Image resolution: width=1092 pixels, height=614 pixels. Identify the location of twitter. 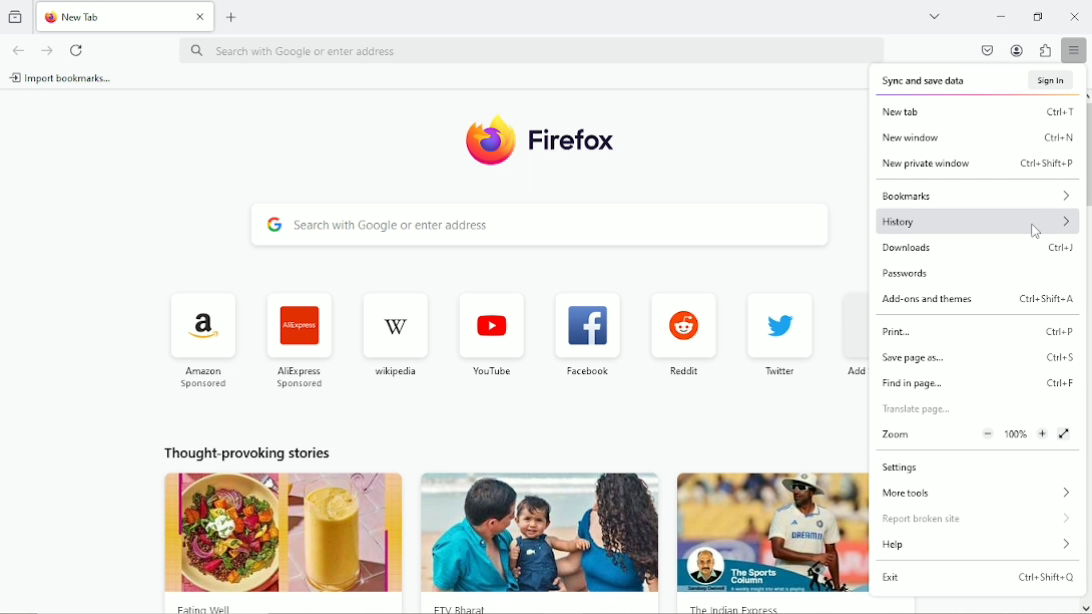
(778, 373).